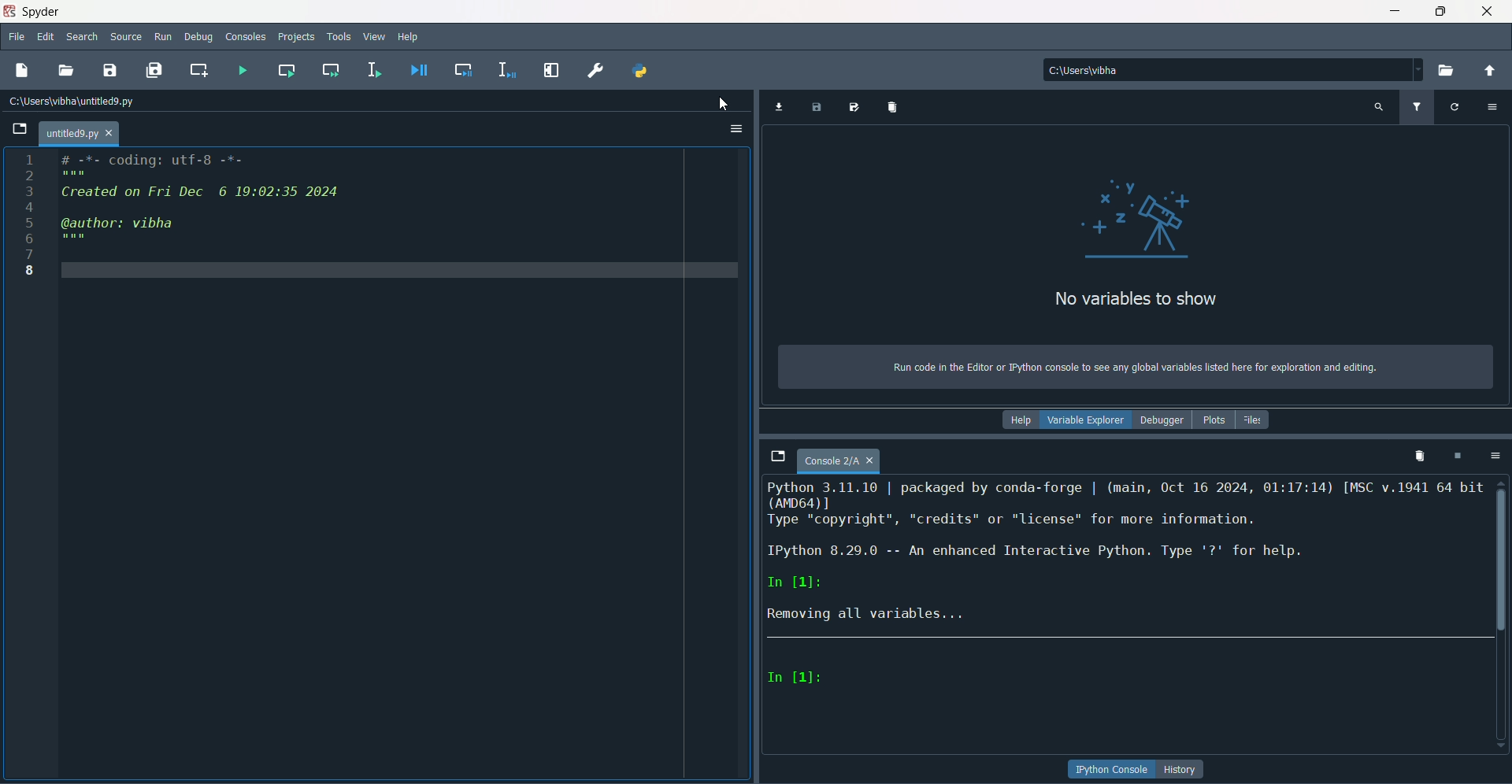 The height and width of the screenshot is (784, 1512). Describe the element at coordinates (736, 130) in the screenshot. I see `options` at that location.